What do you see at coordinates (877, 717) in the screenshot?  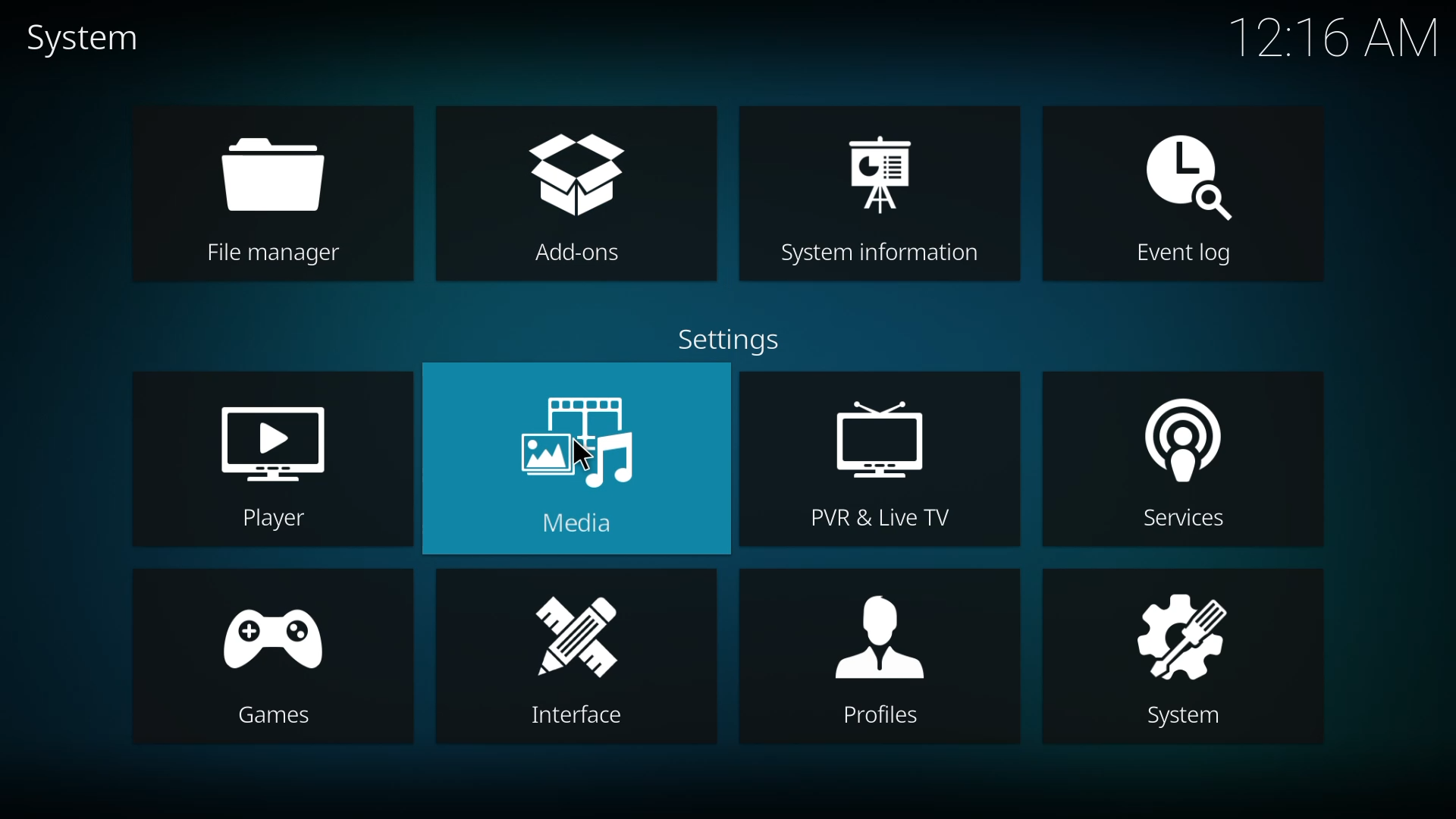 I see `Profiles` at bounding box center [877, 717].